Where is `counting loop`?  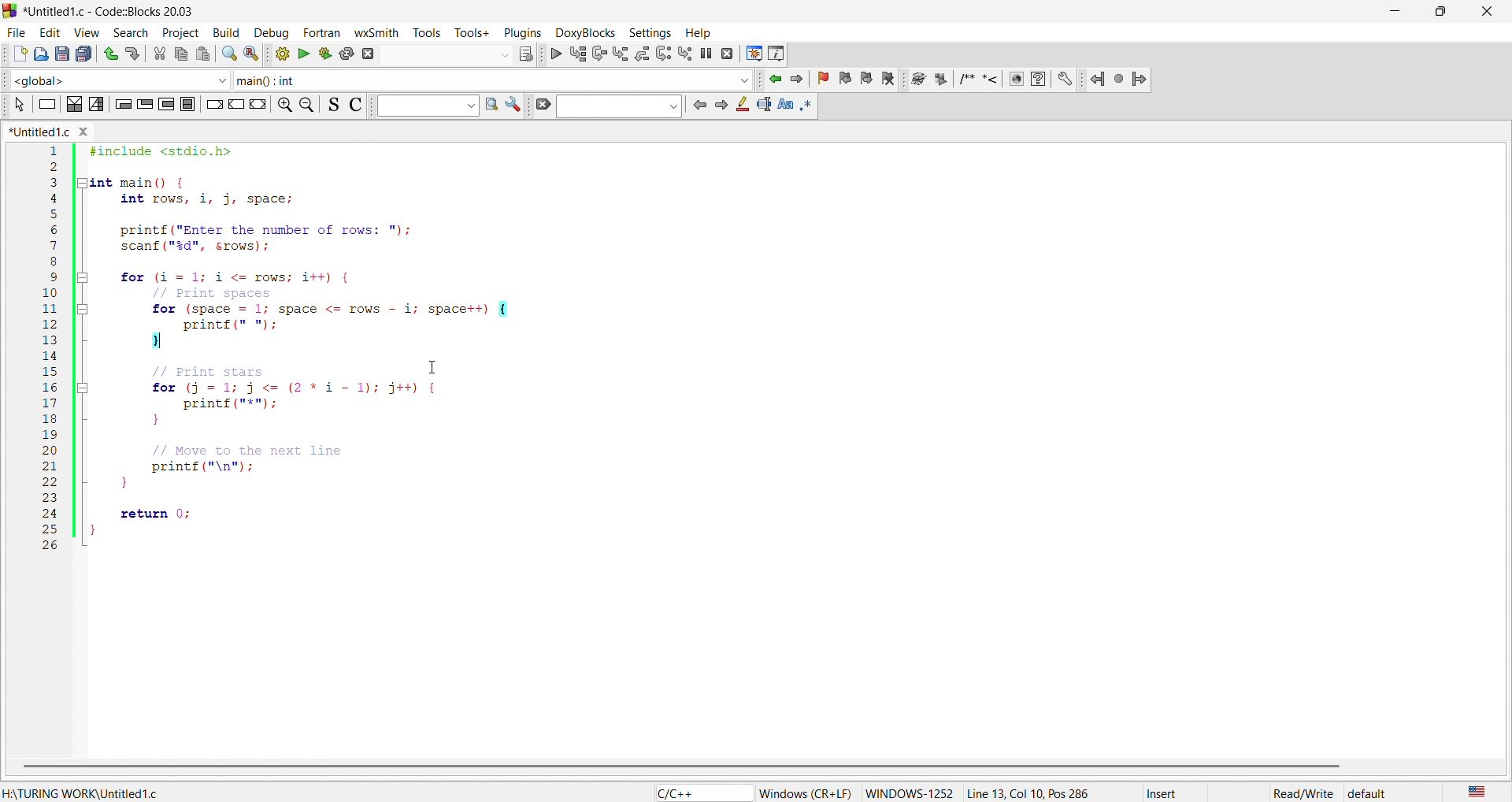 counting loop is located at coordinates (166, 104).